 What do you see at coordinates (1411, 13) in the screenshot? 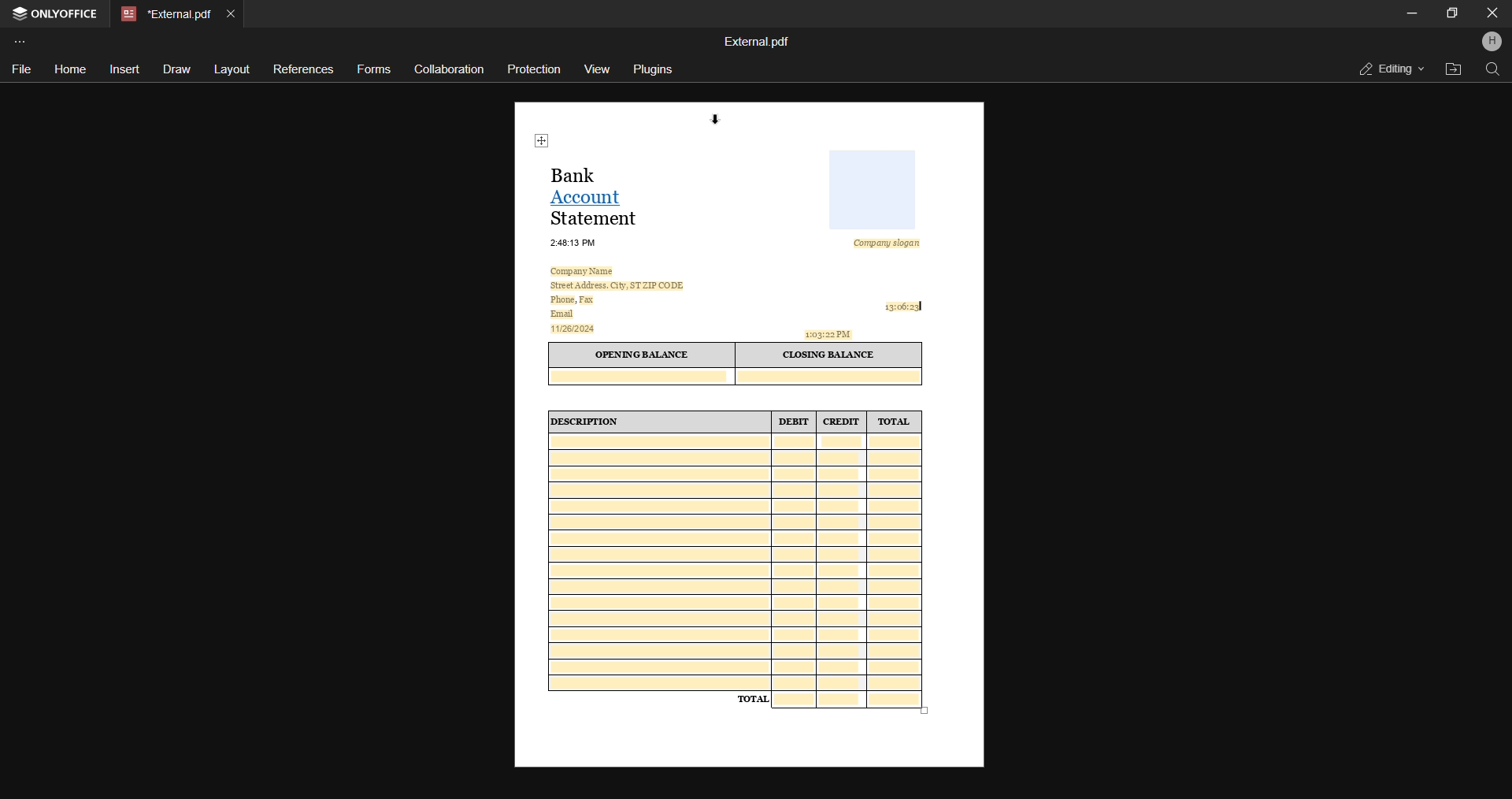
I see `minimize` at bounding box center [1411, 13].